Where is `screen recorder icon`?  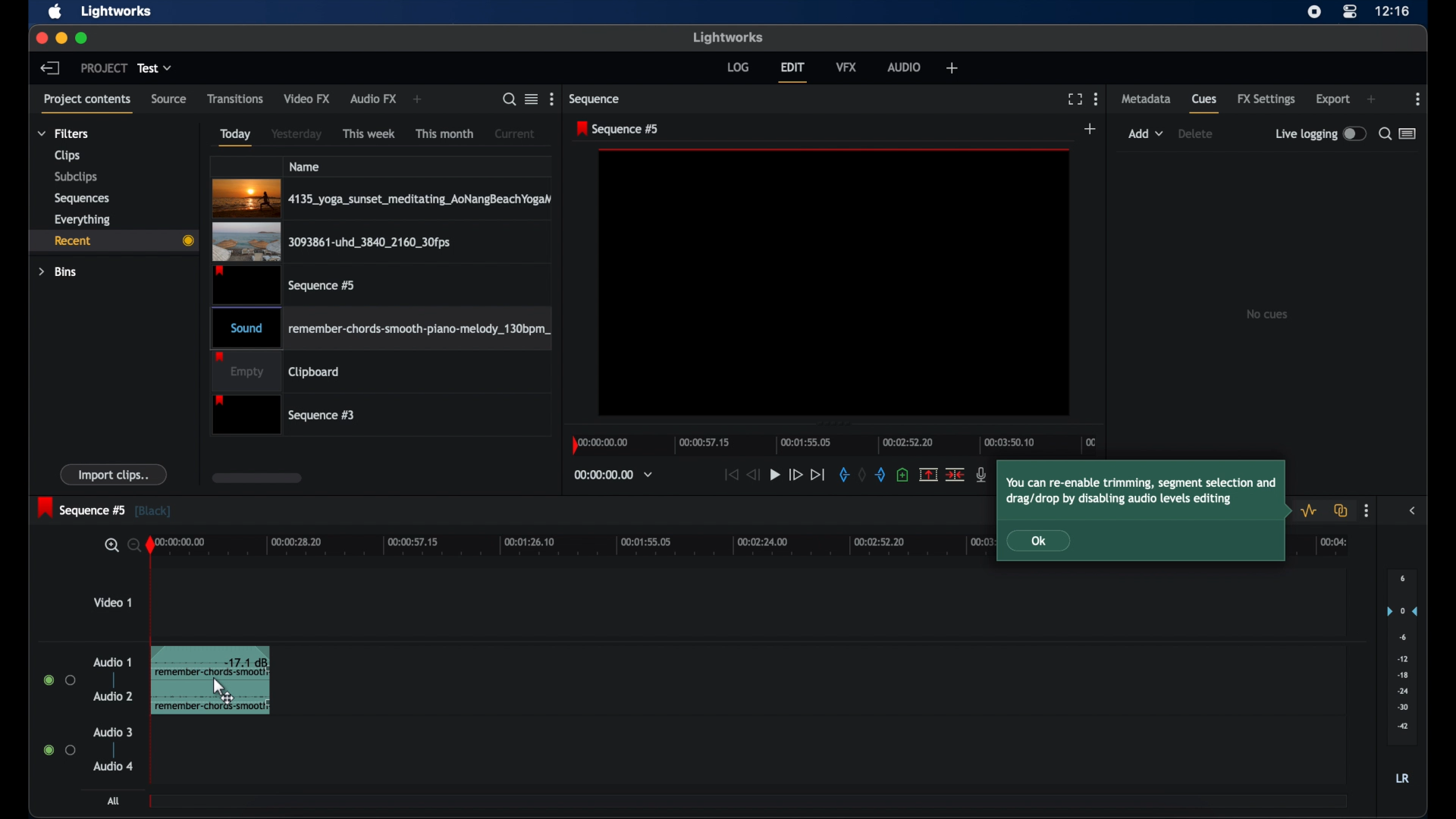 screen recorder icon is located at coordinates (1313, 11).